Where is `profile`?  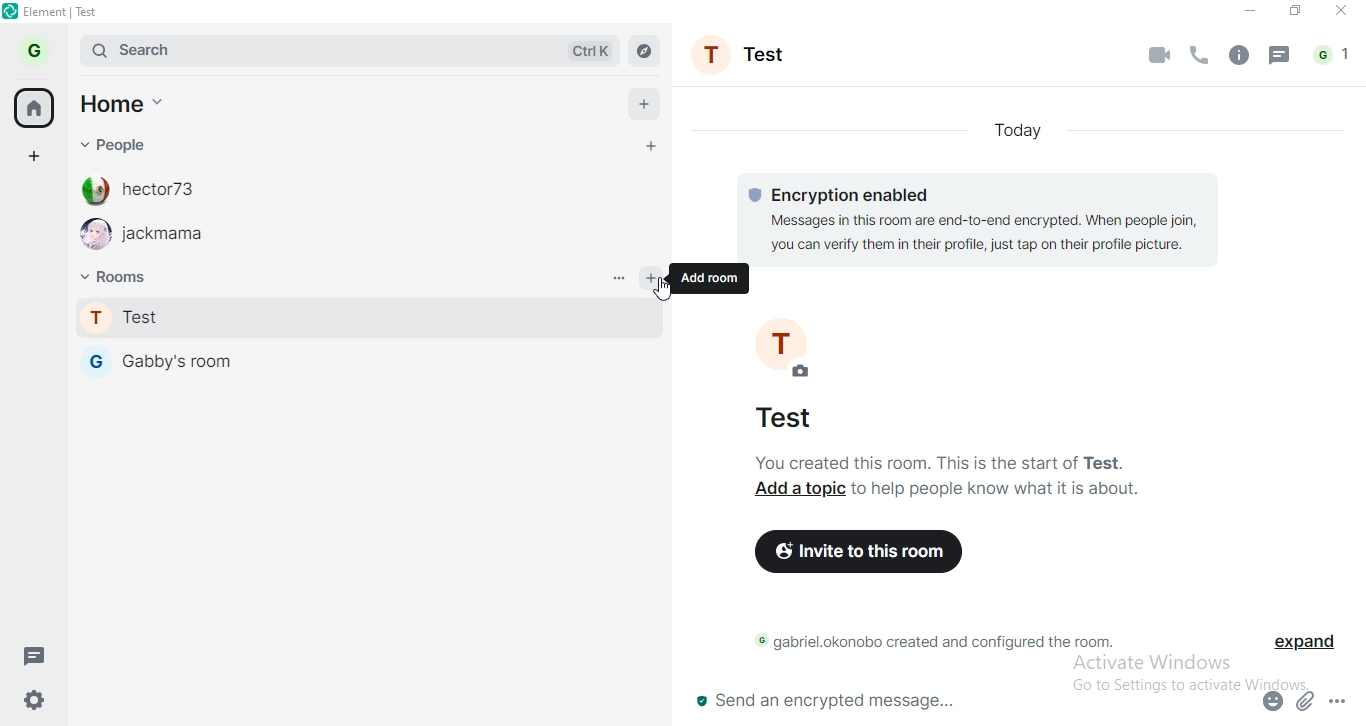
profile is located at coordinates (34, 50).